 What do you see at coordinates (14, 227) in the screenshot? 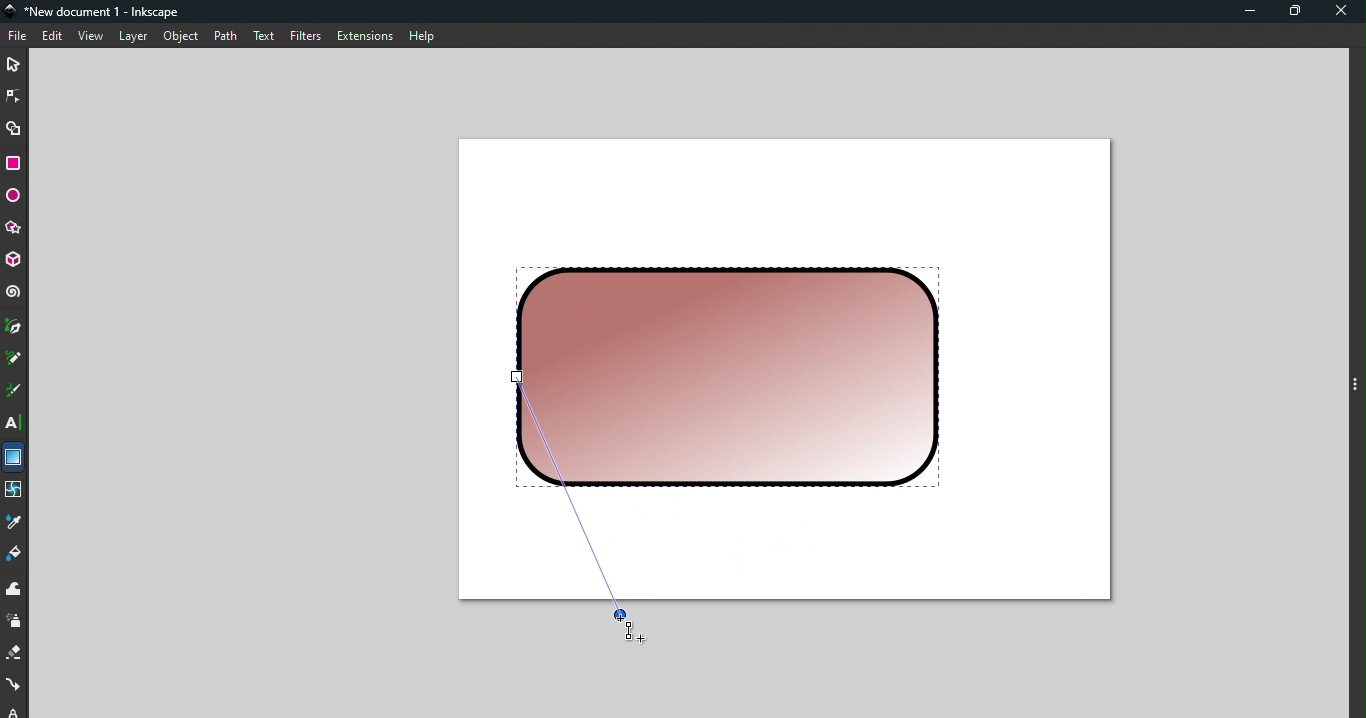
I see `star/polygon tool` at bounding box center [14, 227].